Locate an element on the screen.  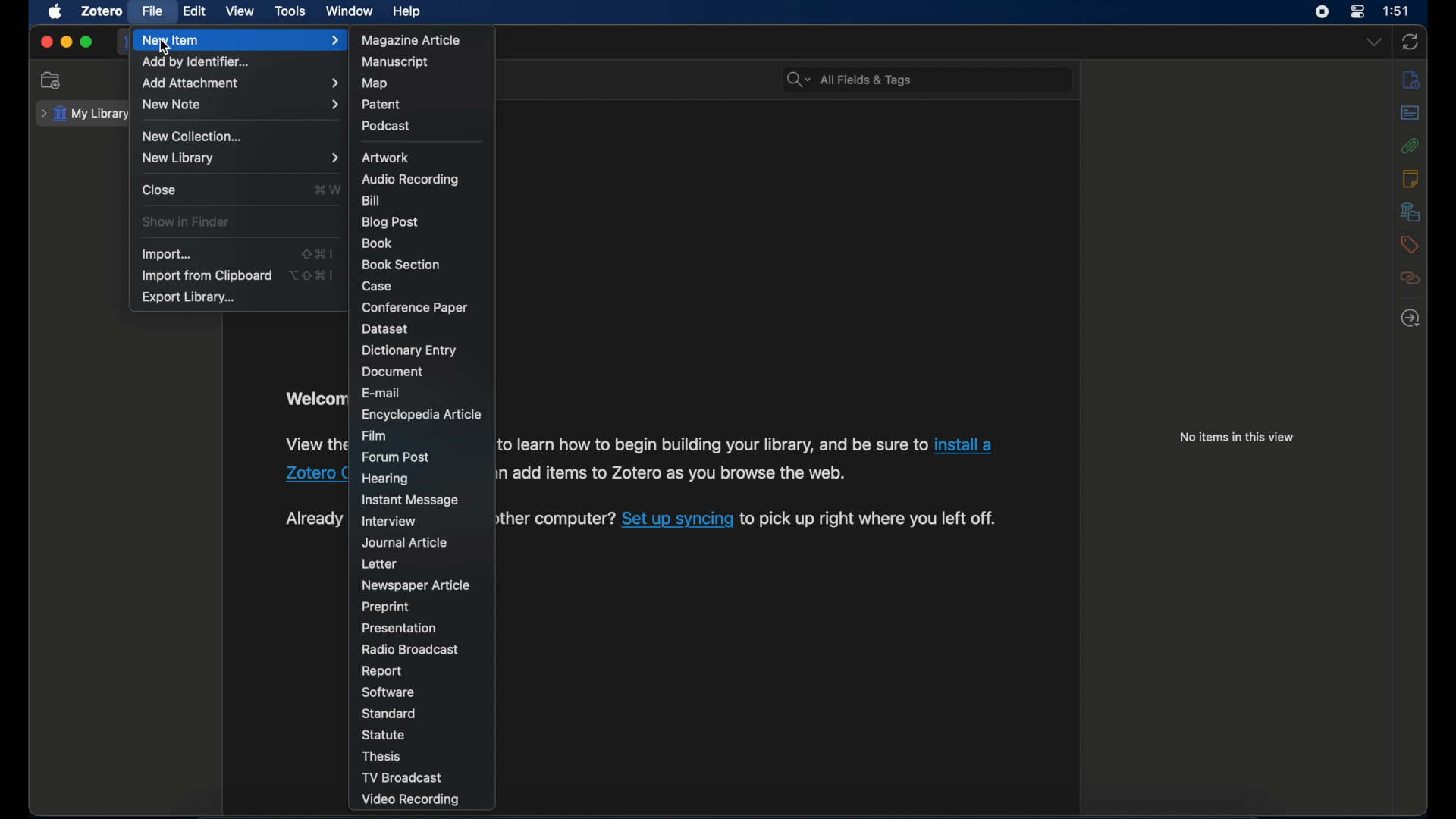
add attachment is located at coordinates (242, 84).